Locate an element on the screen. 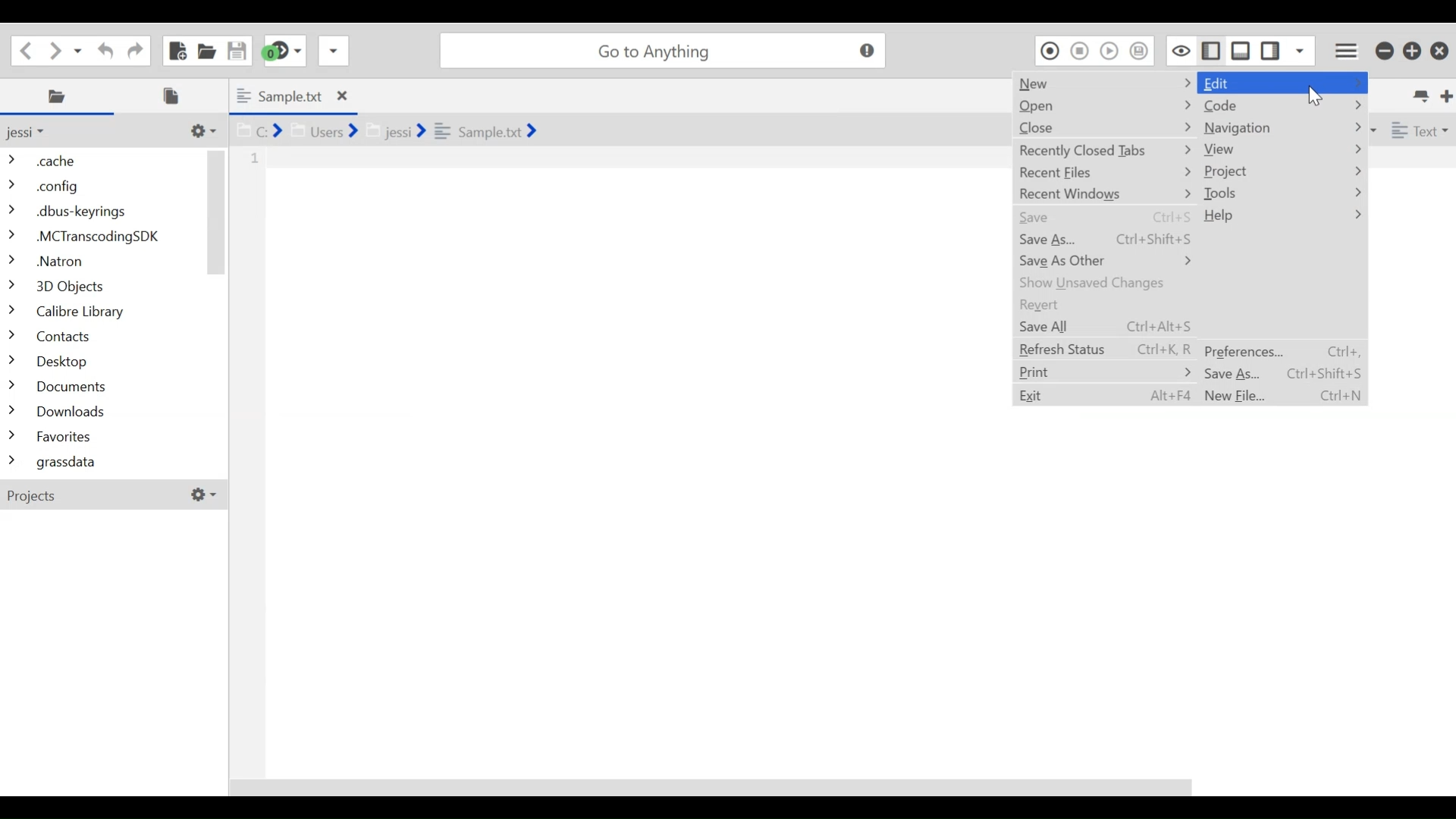 This screenshot has height=819, width=1456. Places is located at coordinates (60, 96).